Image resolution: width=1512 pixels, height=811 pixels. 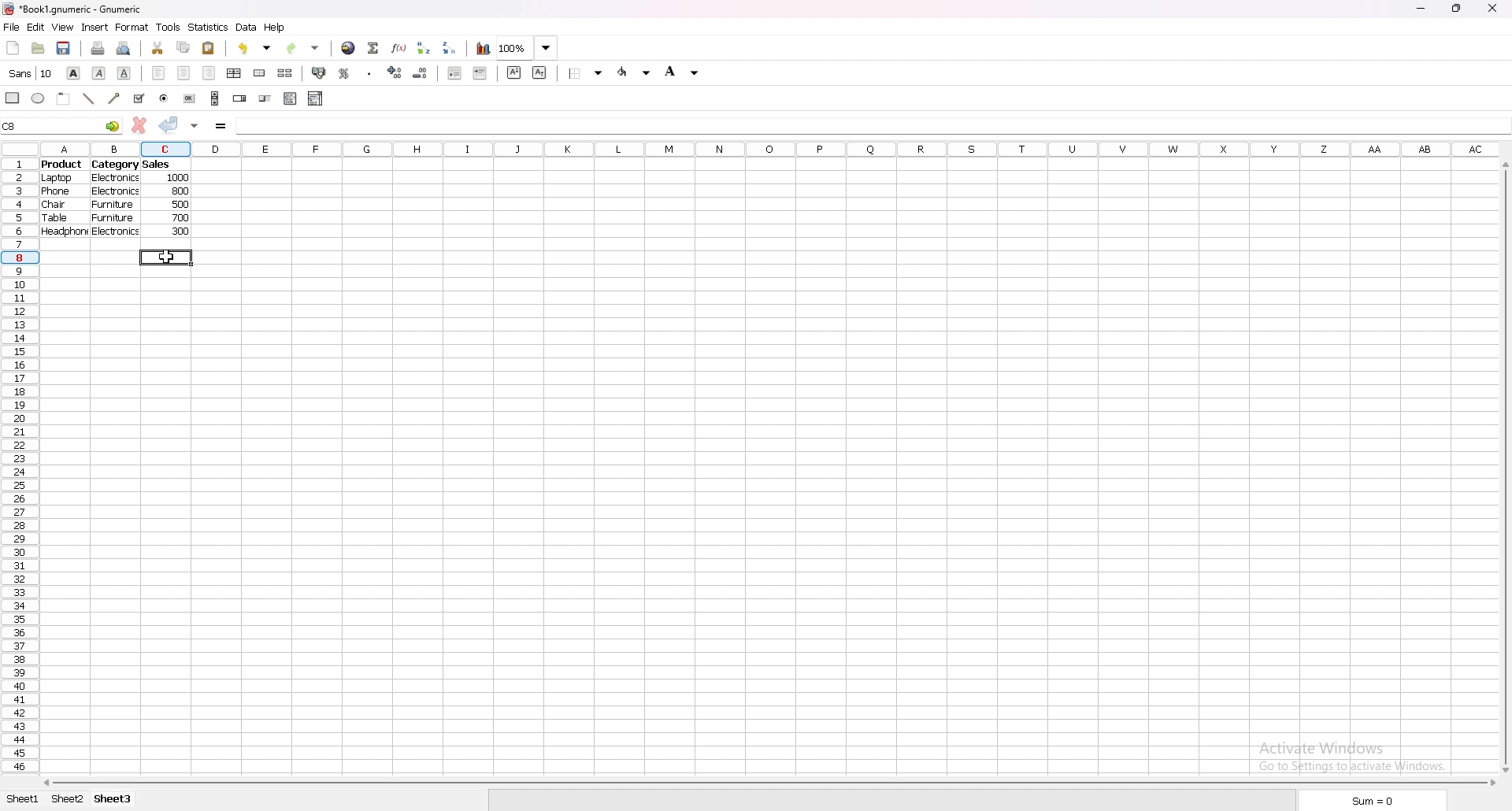 I want to click on furniture, so click(x=113, y=205).